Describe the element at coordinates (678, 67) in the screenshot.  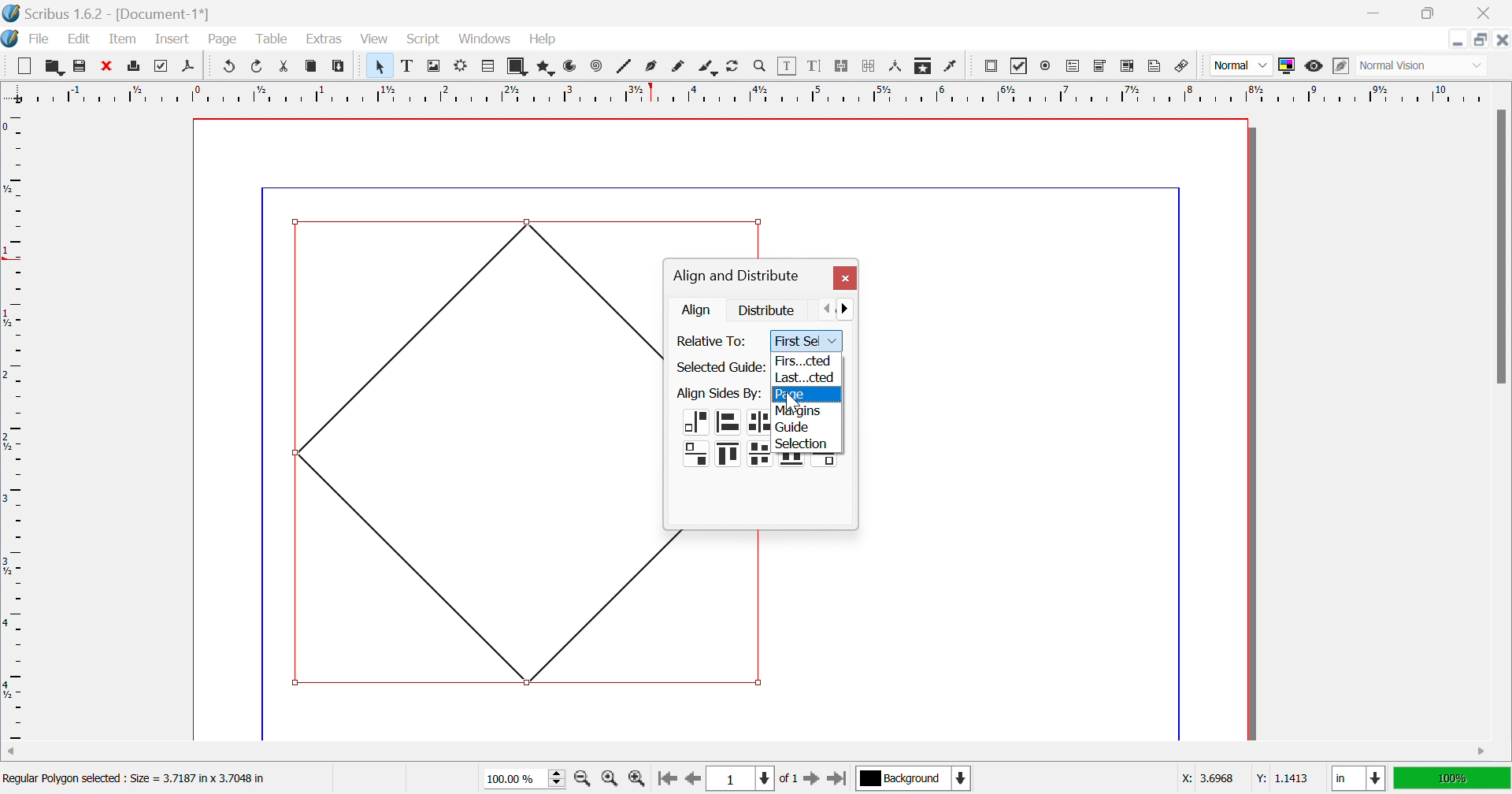
I see `Freehand line` at that location.